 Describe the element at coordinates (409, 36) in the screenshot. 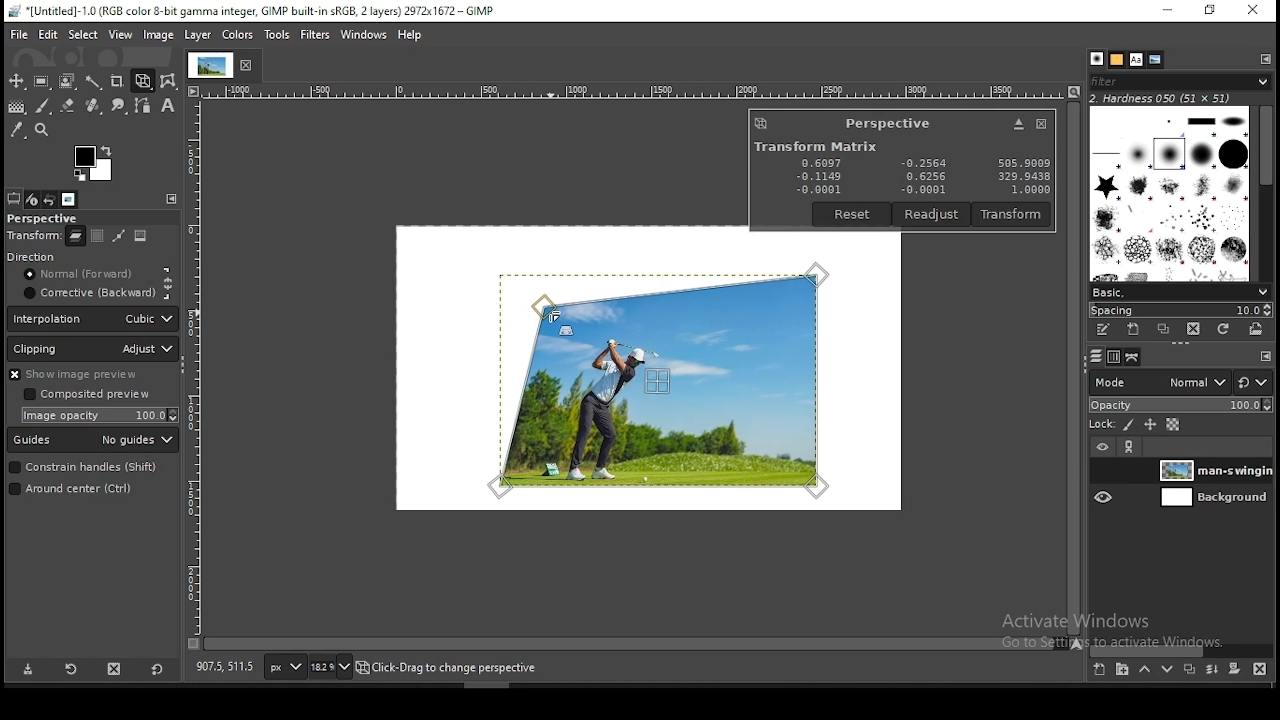

I see `help` at that location.